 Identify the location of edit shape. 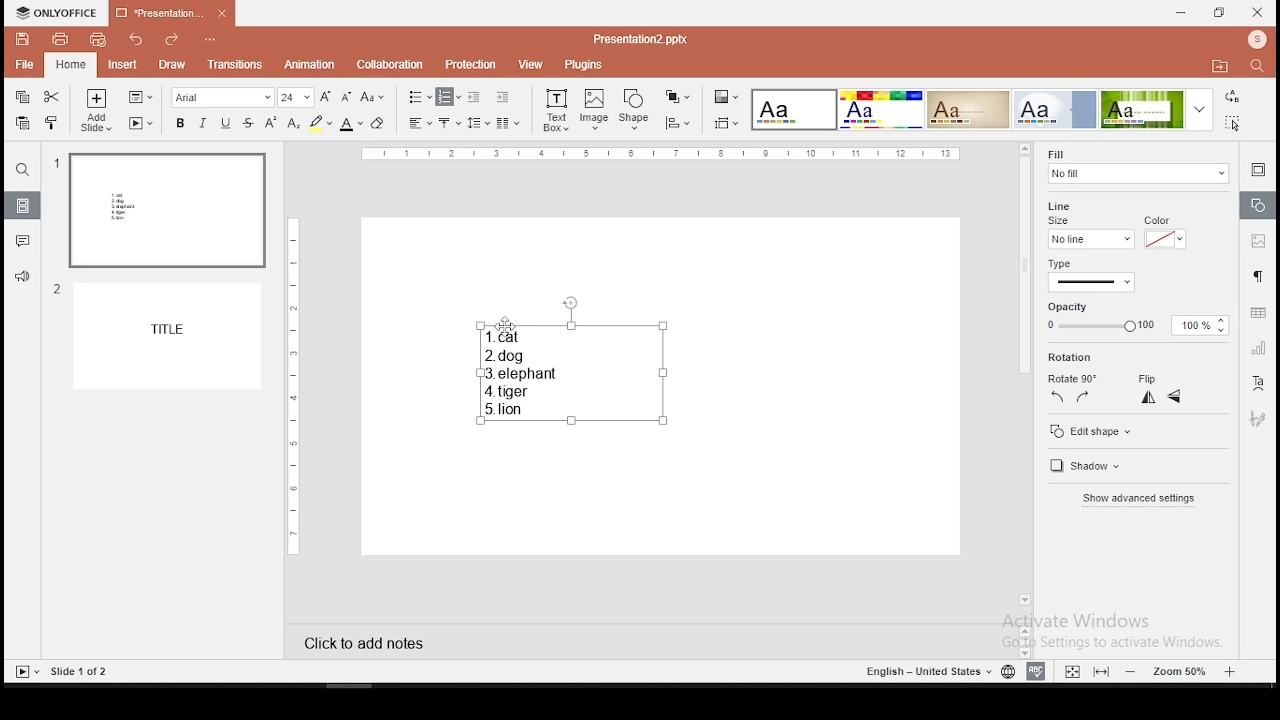
(1137, 429).